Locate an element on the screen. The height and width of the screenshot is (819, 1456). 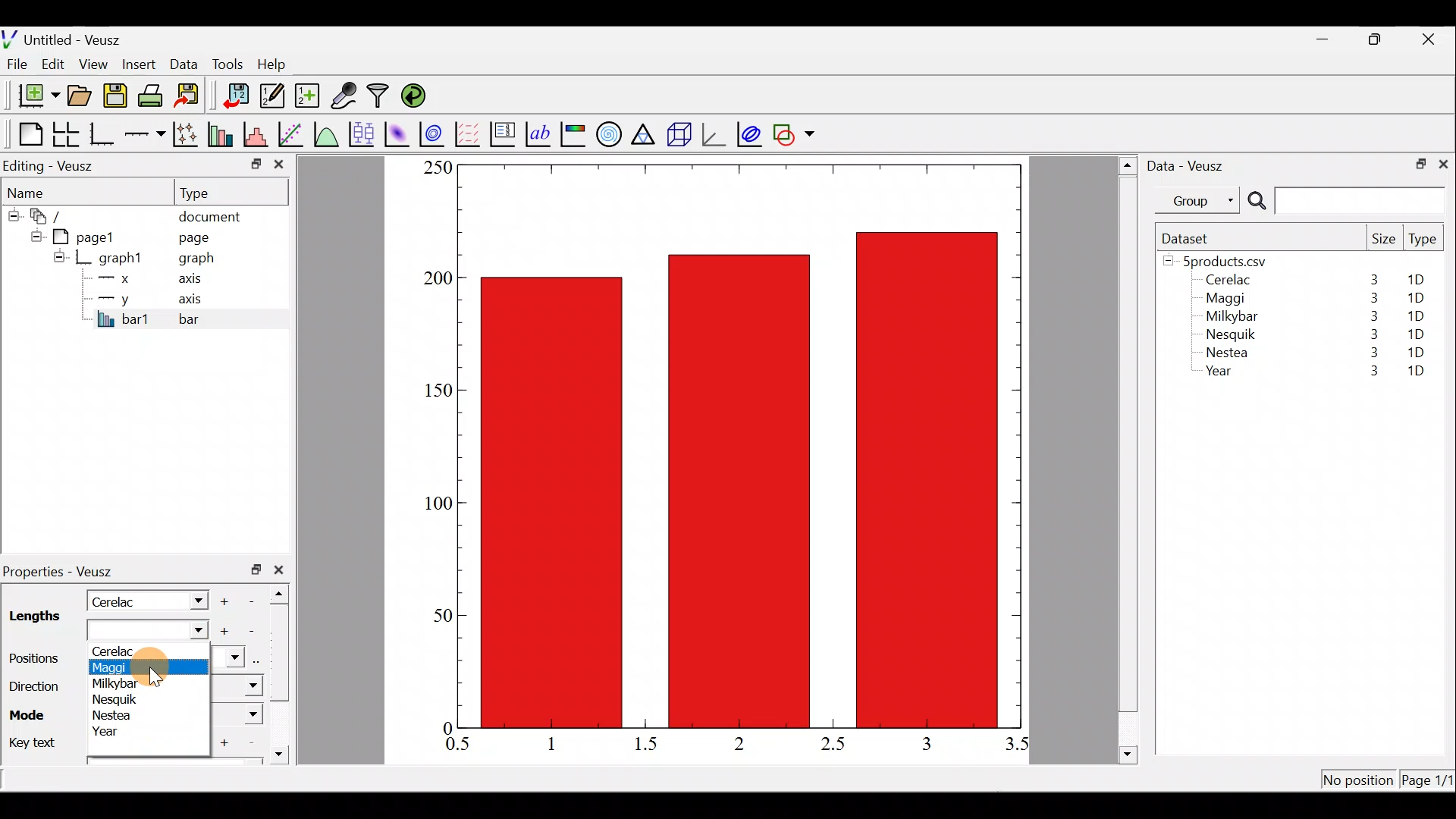
scroll bar is located at coordinates (1128, 457).